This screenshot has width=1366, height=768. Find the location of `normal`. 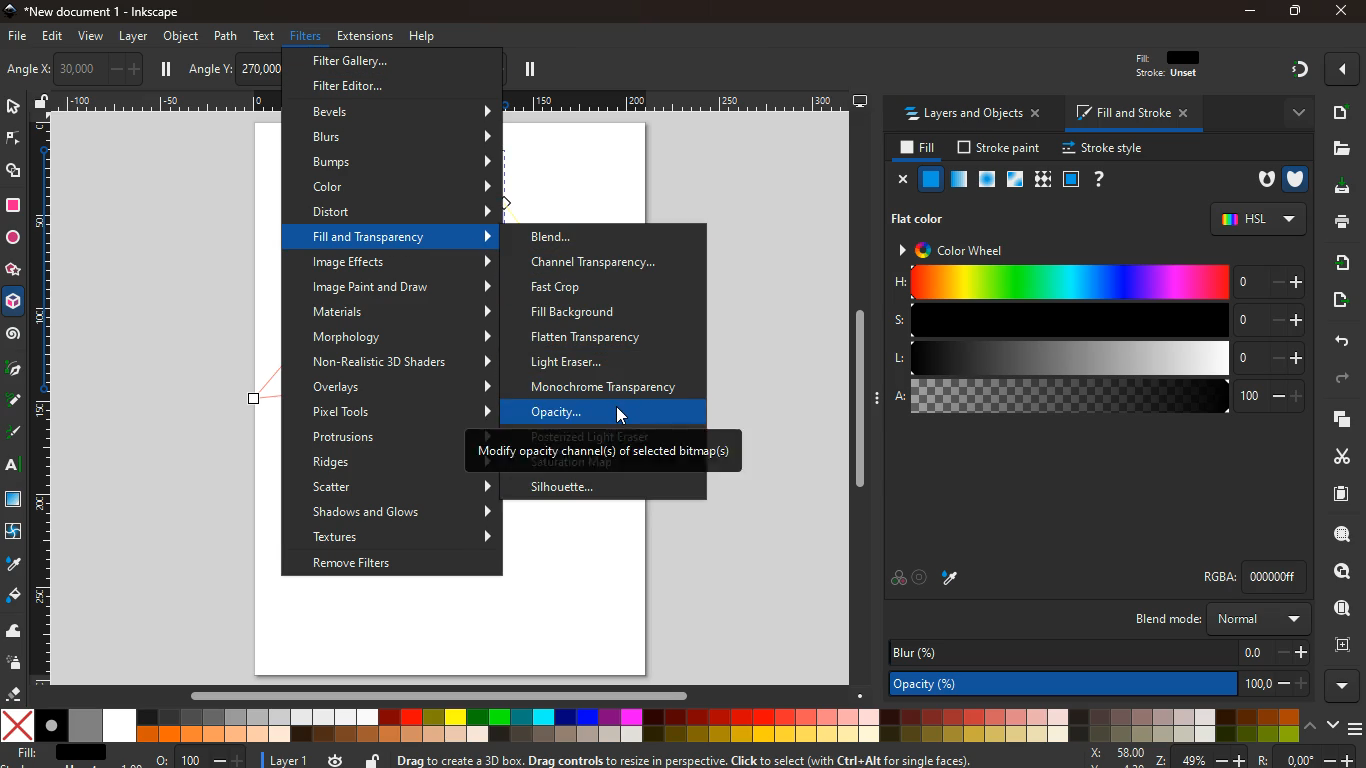

normal is located at coordinates (932, 180).